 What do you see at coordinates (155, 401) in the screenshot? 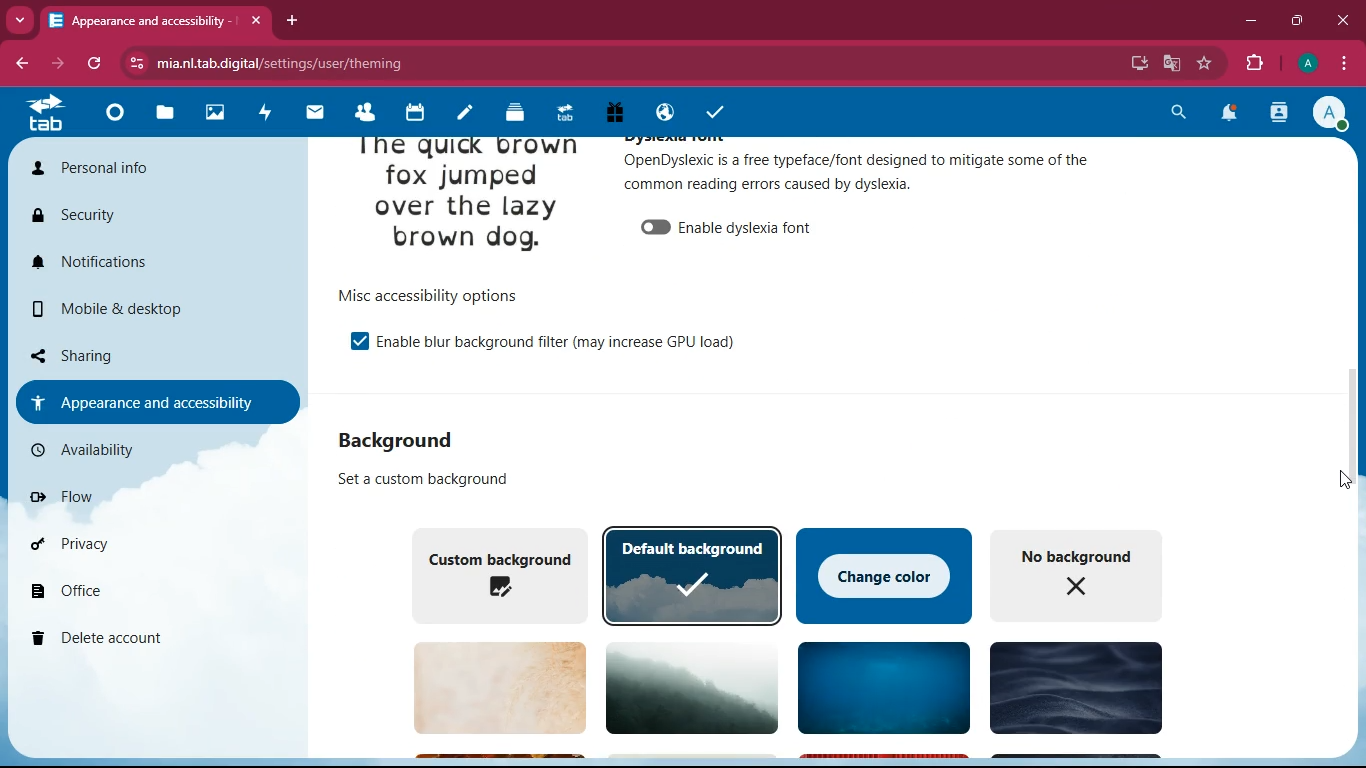
I see `appearance` at bounding box center [155, 401].